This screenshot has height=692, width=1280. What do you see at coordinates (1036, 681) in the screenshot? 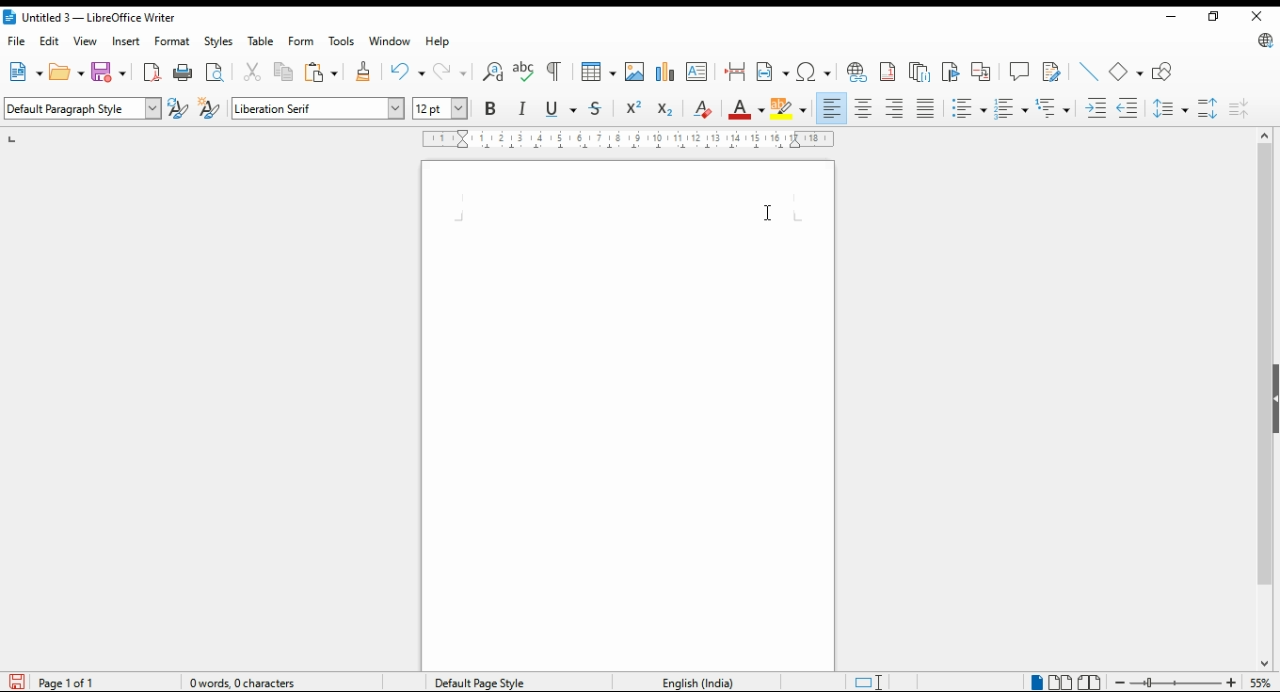
I see `single page view` at bounding box center [1036, 681].